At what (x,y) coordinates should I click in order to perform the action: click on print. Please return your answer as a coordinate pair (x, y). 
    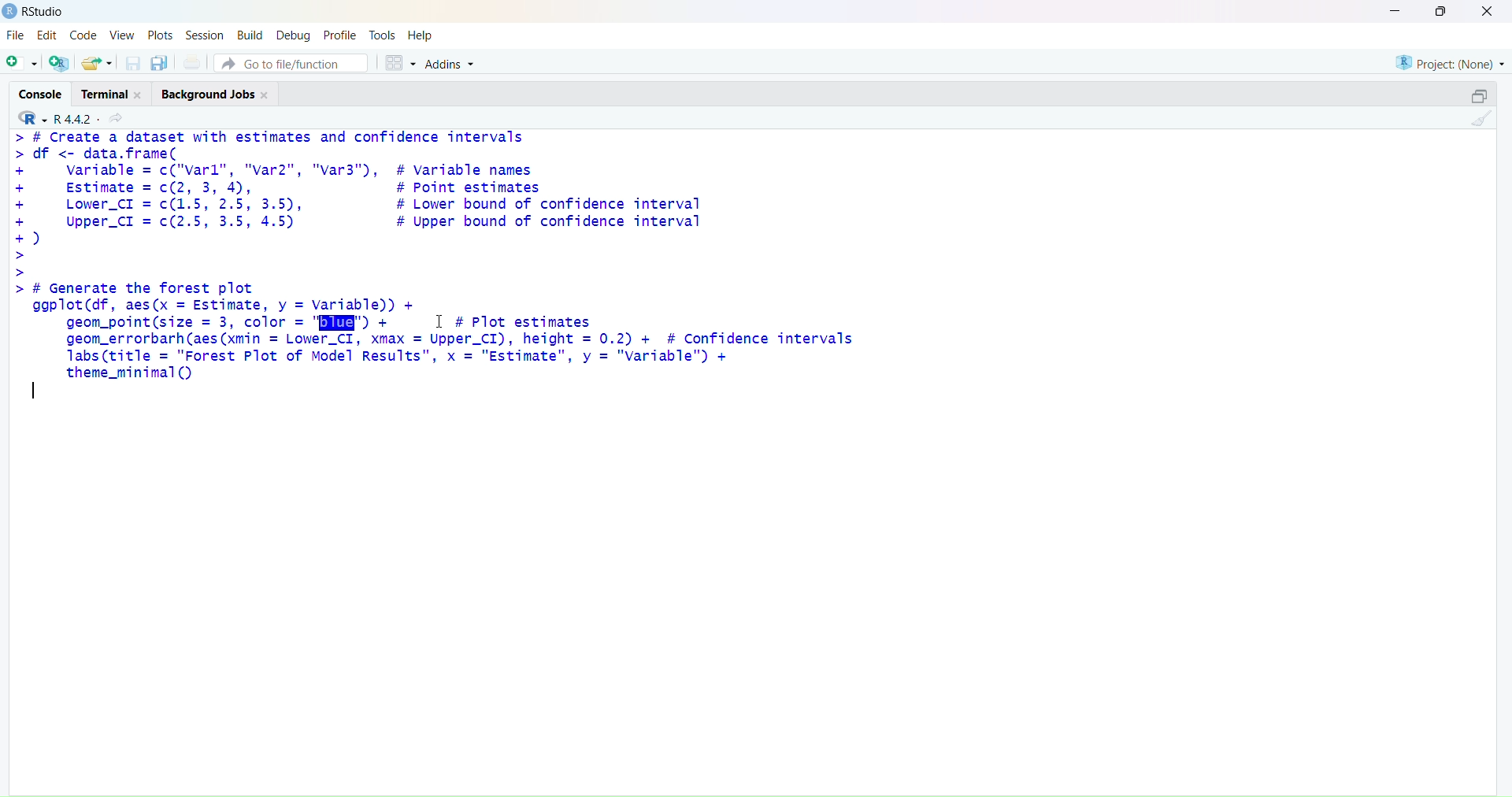
    Looking at the image, I should click on (191, 63).